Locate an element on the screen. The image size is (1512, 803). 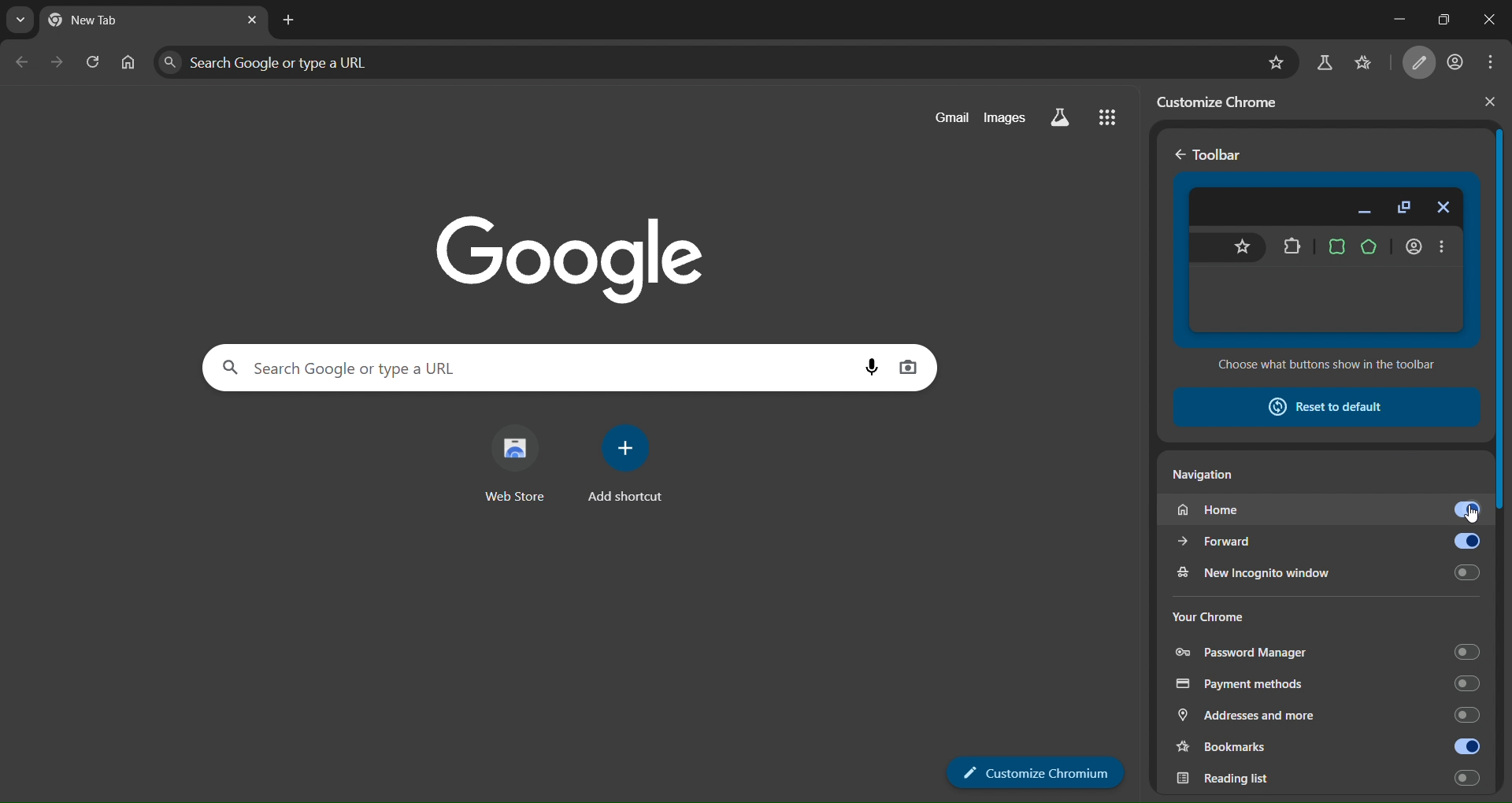
home is located at coordinates (128, 62).